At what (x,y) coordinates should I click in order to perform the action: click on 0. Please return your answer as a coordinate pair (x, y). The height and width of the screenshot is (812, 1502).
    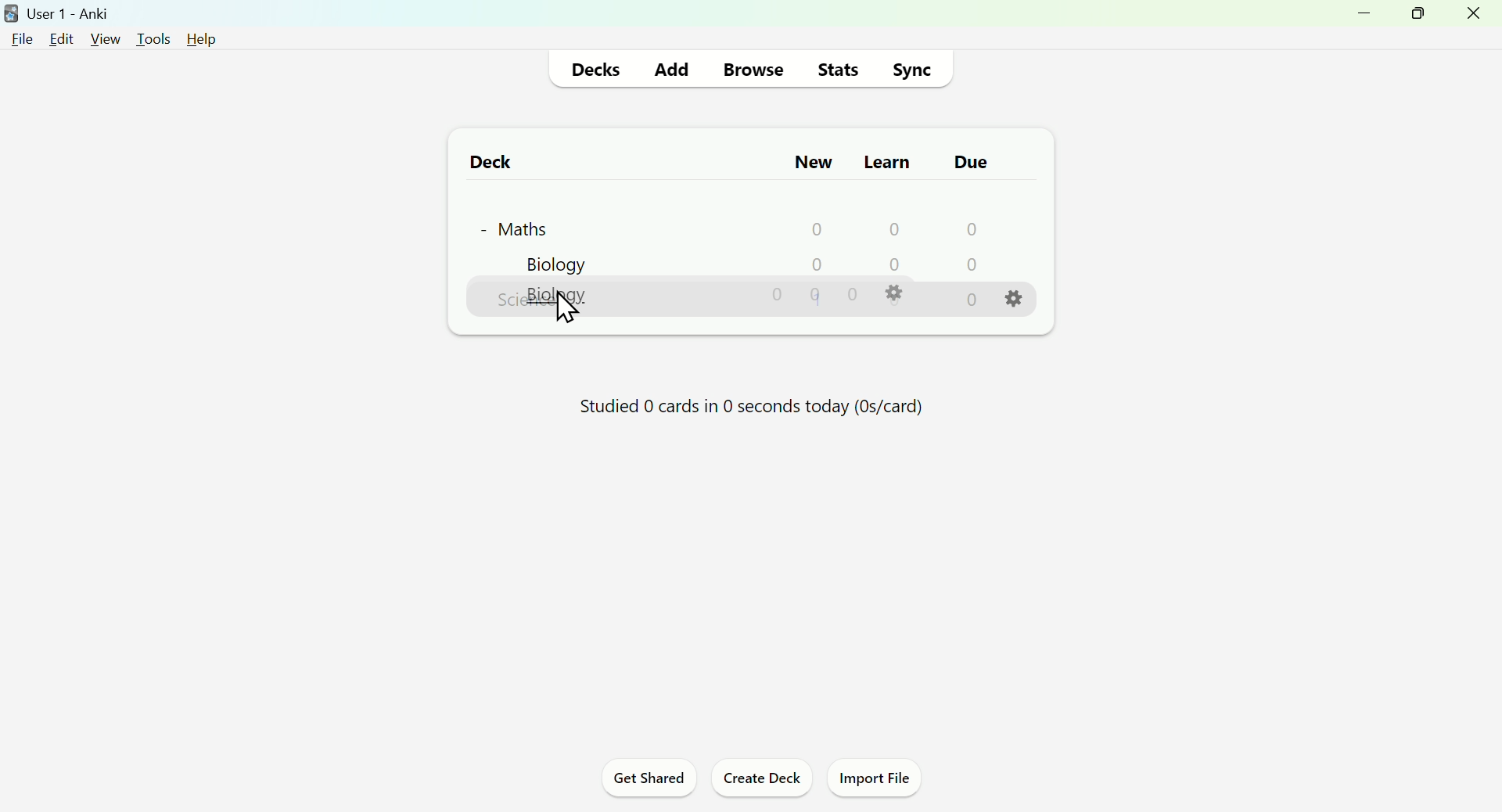
    Looking at the image, I should click on (853, 297).